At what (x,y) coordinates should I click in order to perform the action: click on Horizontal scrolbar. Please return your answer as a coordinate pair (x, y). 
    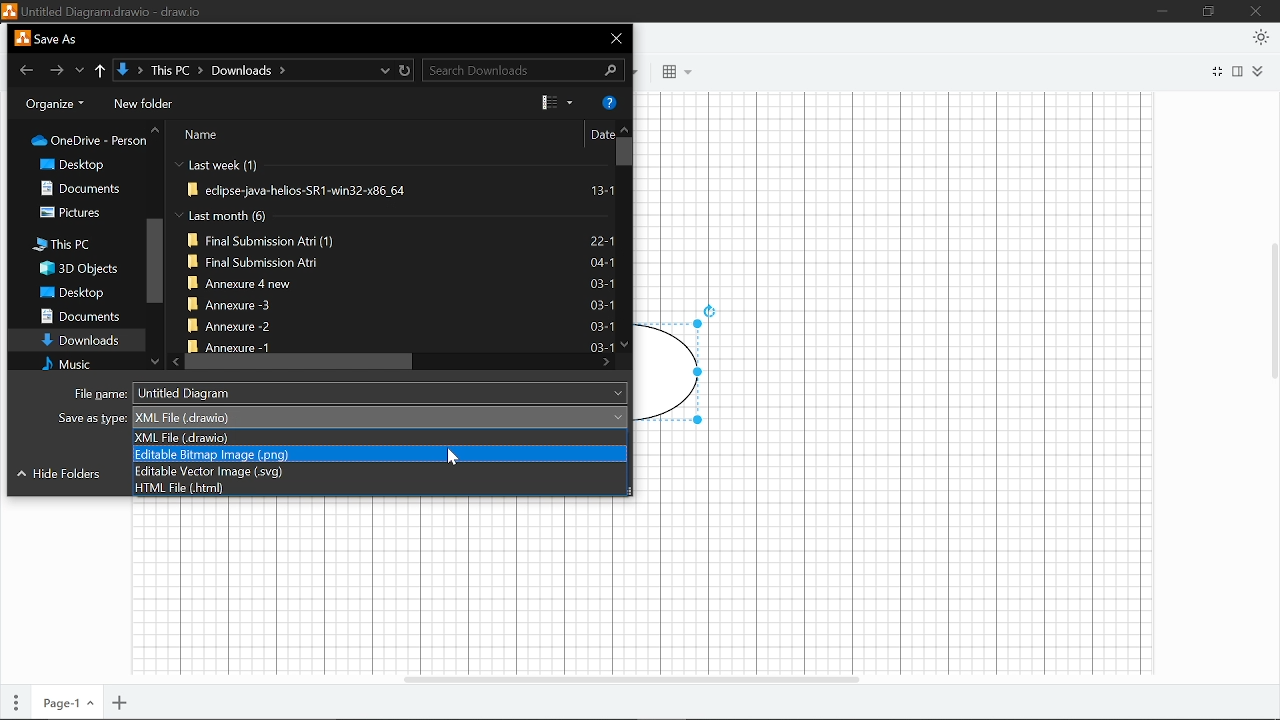
    Looking at the image, I should click on (630, 674).